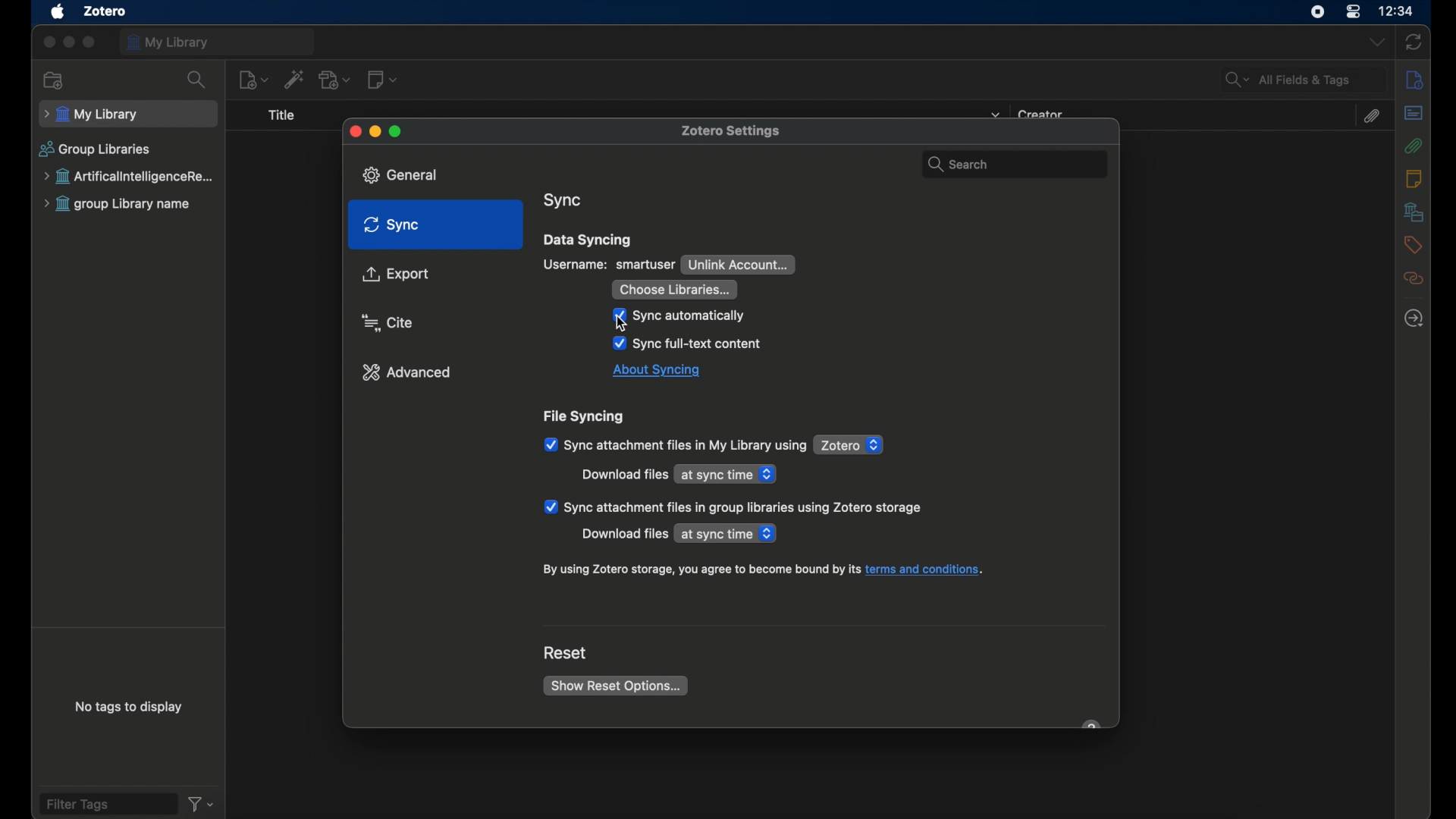 This screenshot has width=1456, height=819. Describe the element at coordinates (680, 315) in the screenshot. I see `sync automatically checkbox checked` at that location.